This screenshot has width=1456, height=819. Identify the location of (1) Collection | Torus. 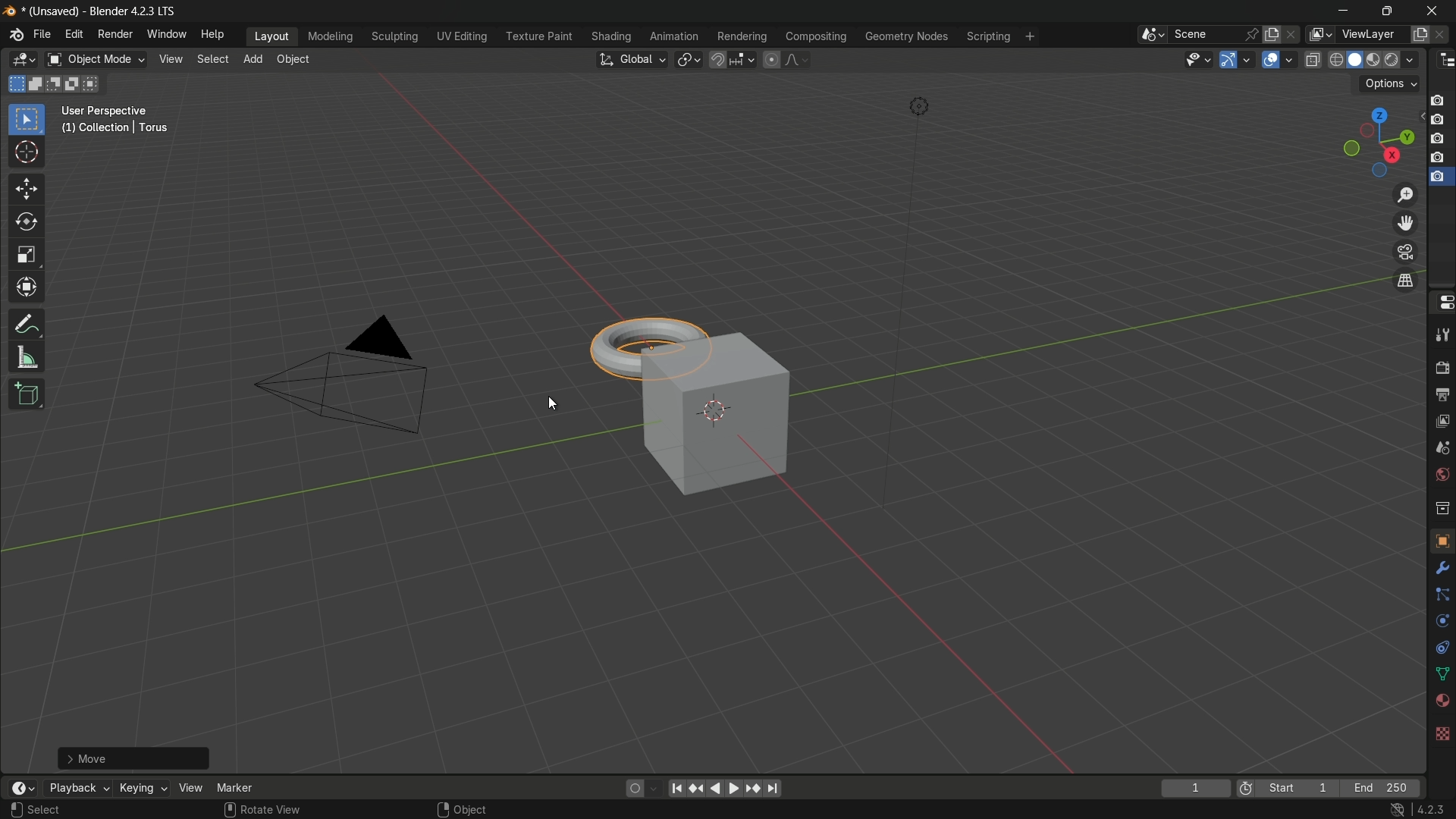
(113, 129).